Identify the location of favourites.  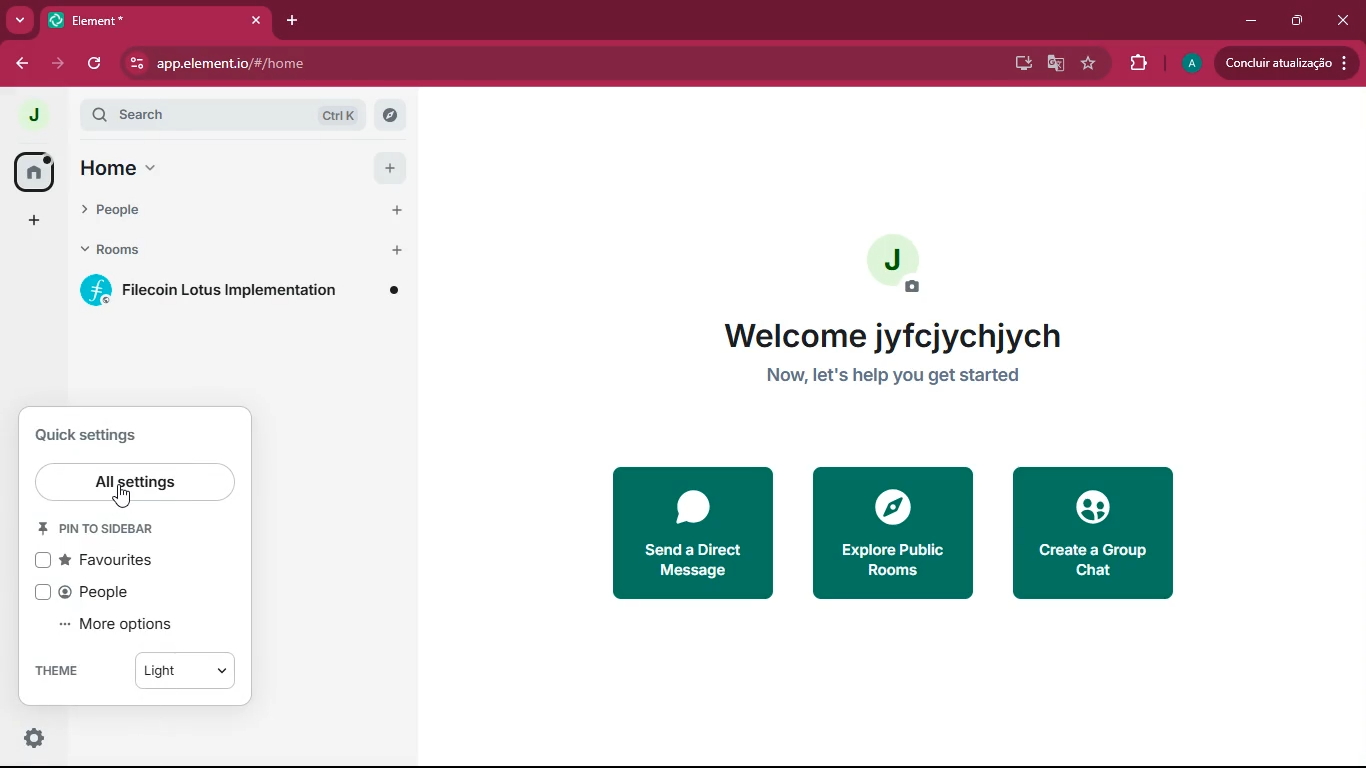
(120, 560).